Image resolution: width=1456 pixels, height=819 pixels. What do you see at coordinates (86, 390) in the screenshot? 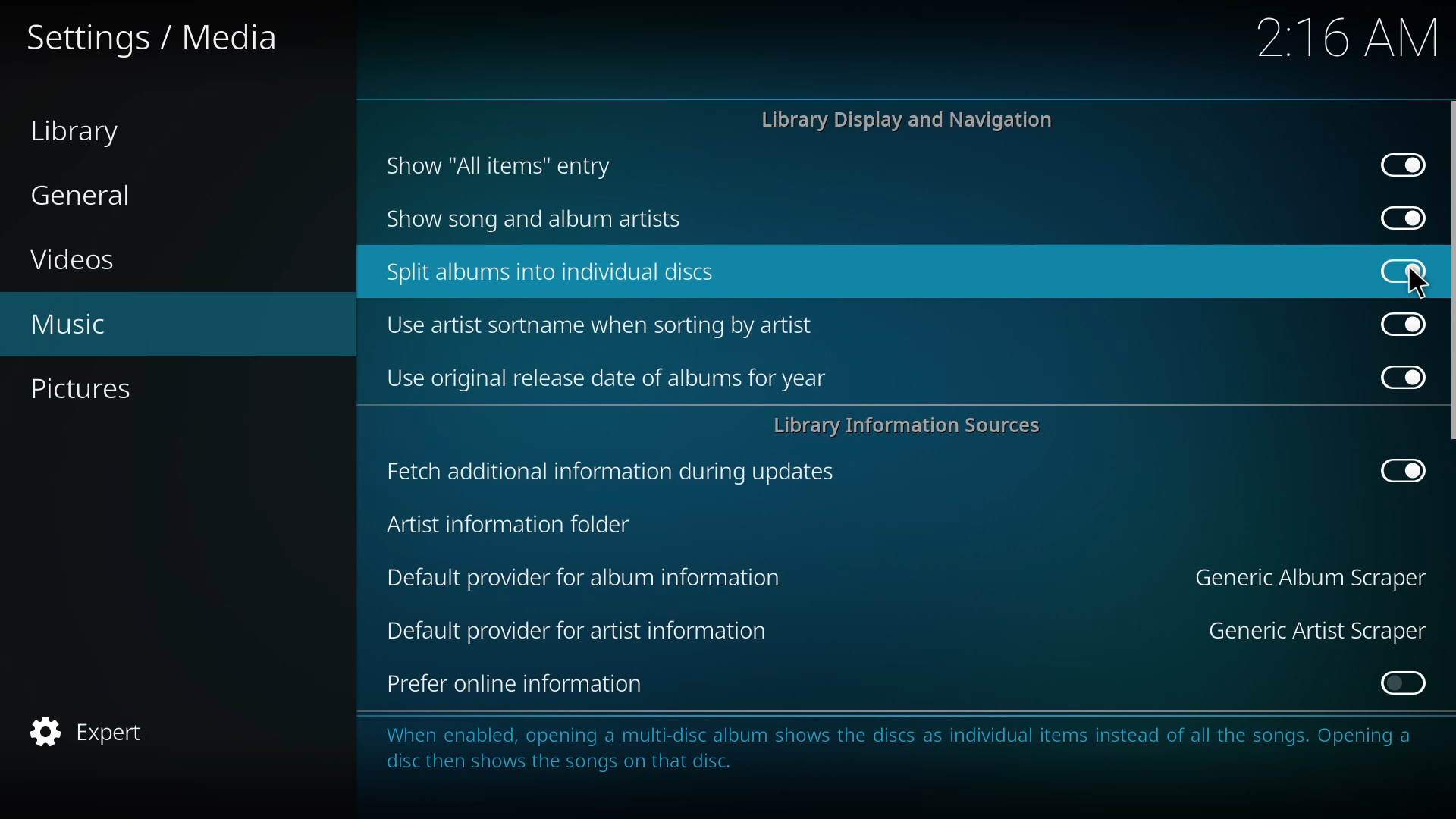
I see `pictures` at bounding box center [86, 390].